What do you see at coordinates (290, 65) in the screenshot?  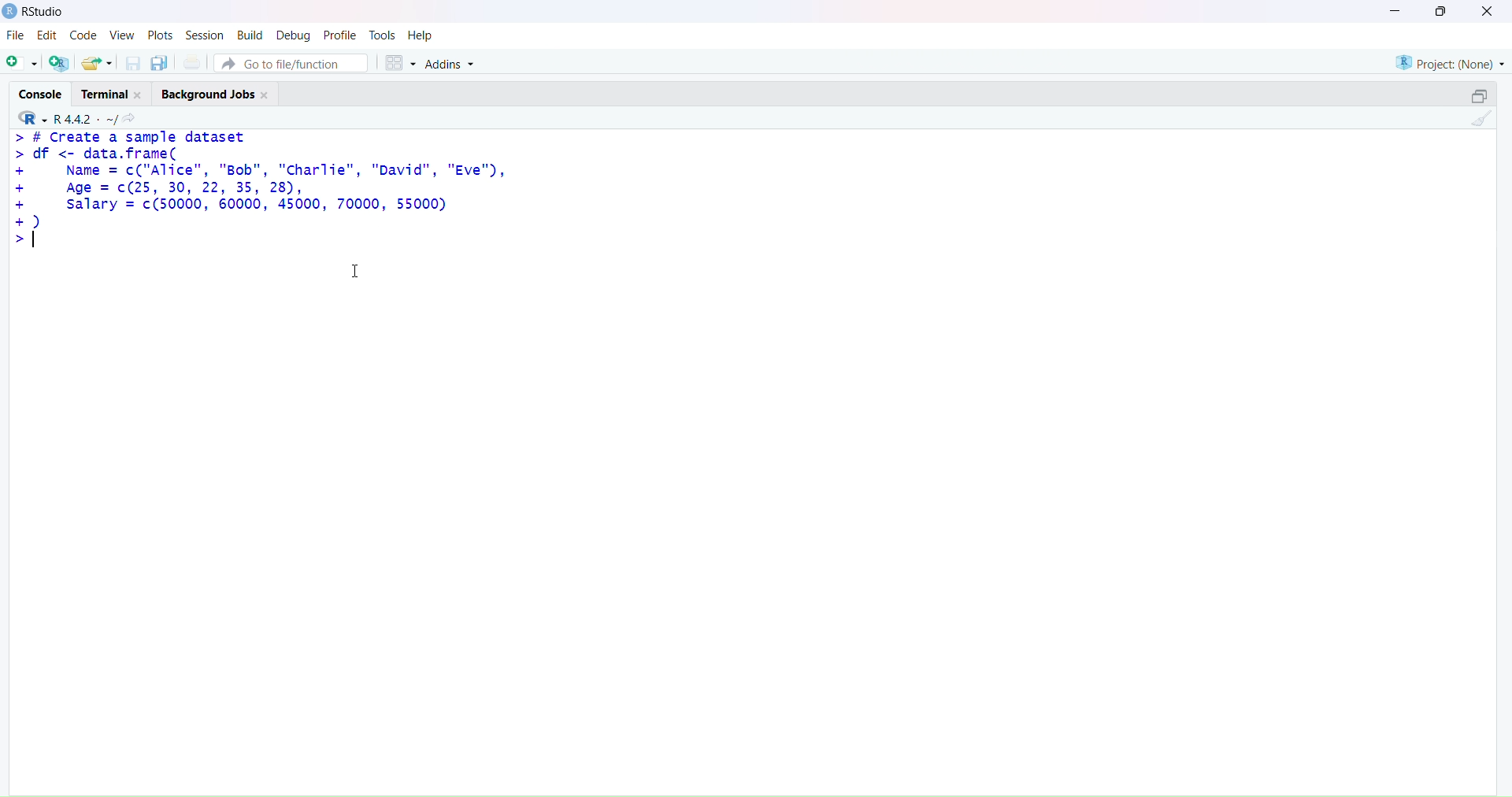 I see `go to file/function` at bounding box center [290, 65].